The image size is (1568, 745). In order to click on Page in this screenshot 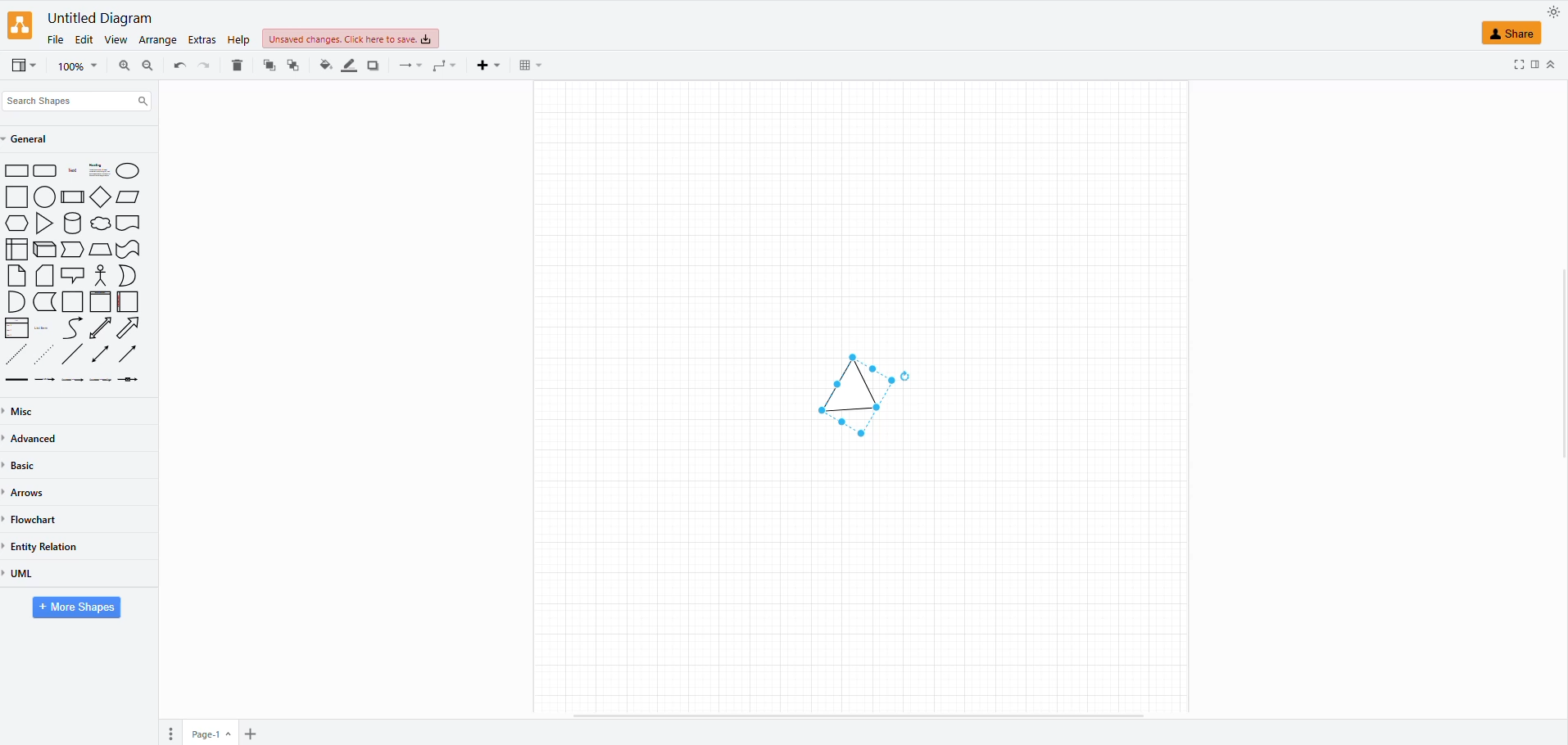, I will do `click(73, 302)`.